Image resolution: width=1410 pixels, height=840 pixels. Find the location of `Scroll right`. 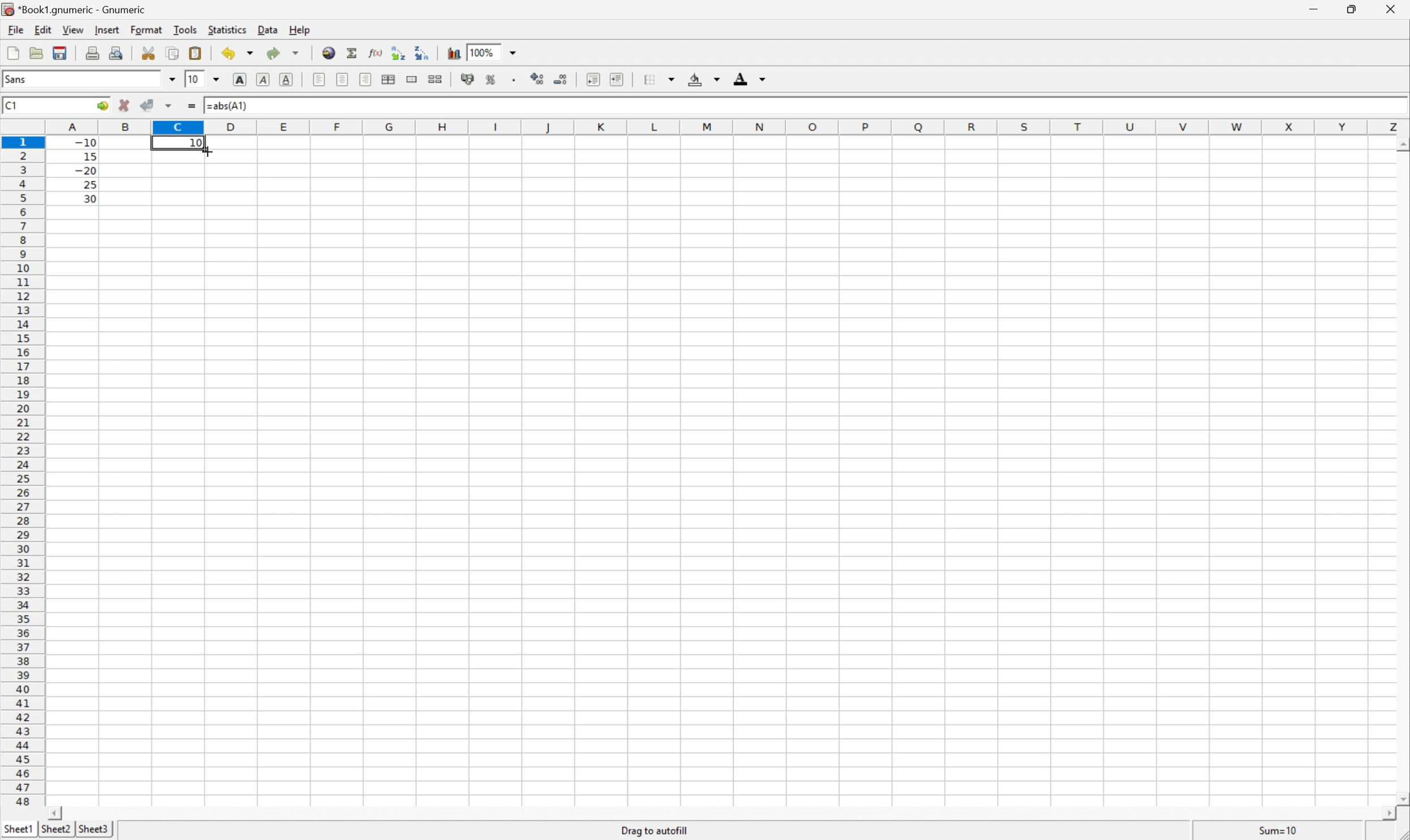

Scroll right is located at coordinates (1383, 814).